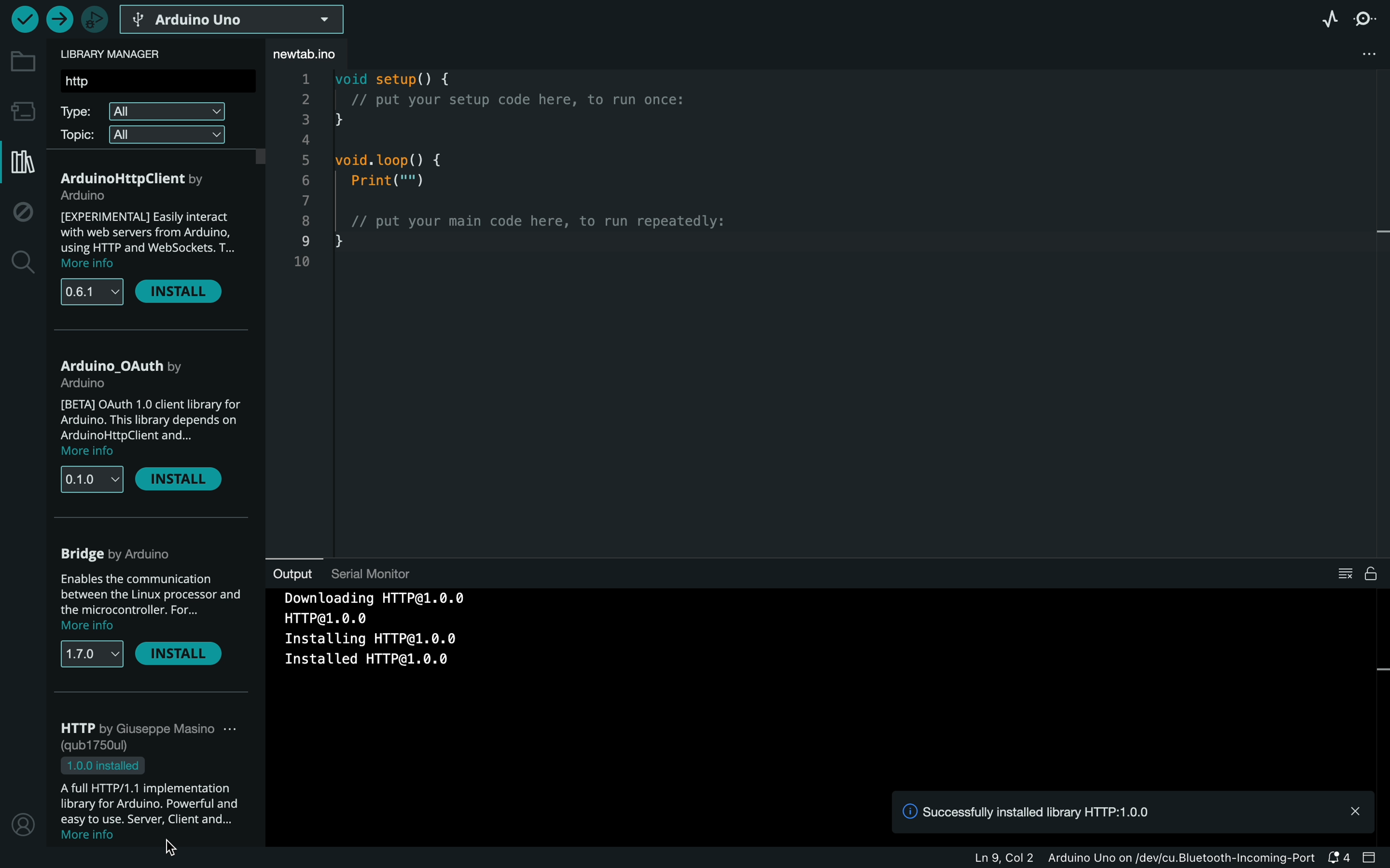 Image resolution: width=1390 pixels, height=868 pixels. Describe the element at coordinates (166, 847) in the screenshot. I see `cursor` at that location.